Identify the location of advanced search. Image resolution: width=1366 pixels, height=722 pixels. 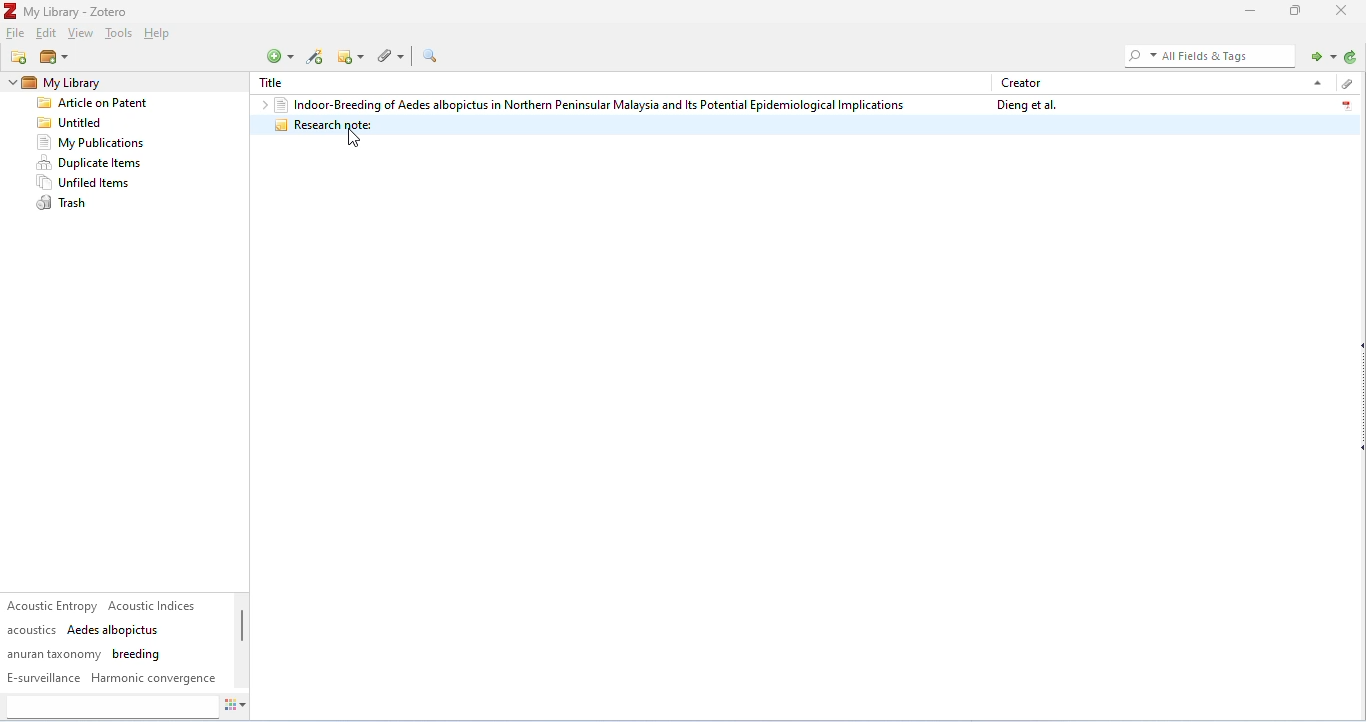
(430, 56).